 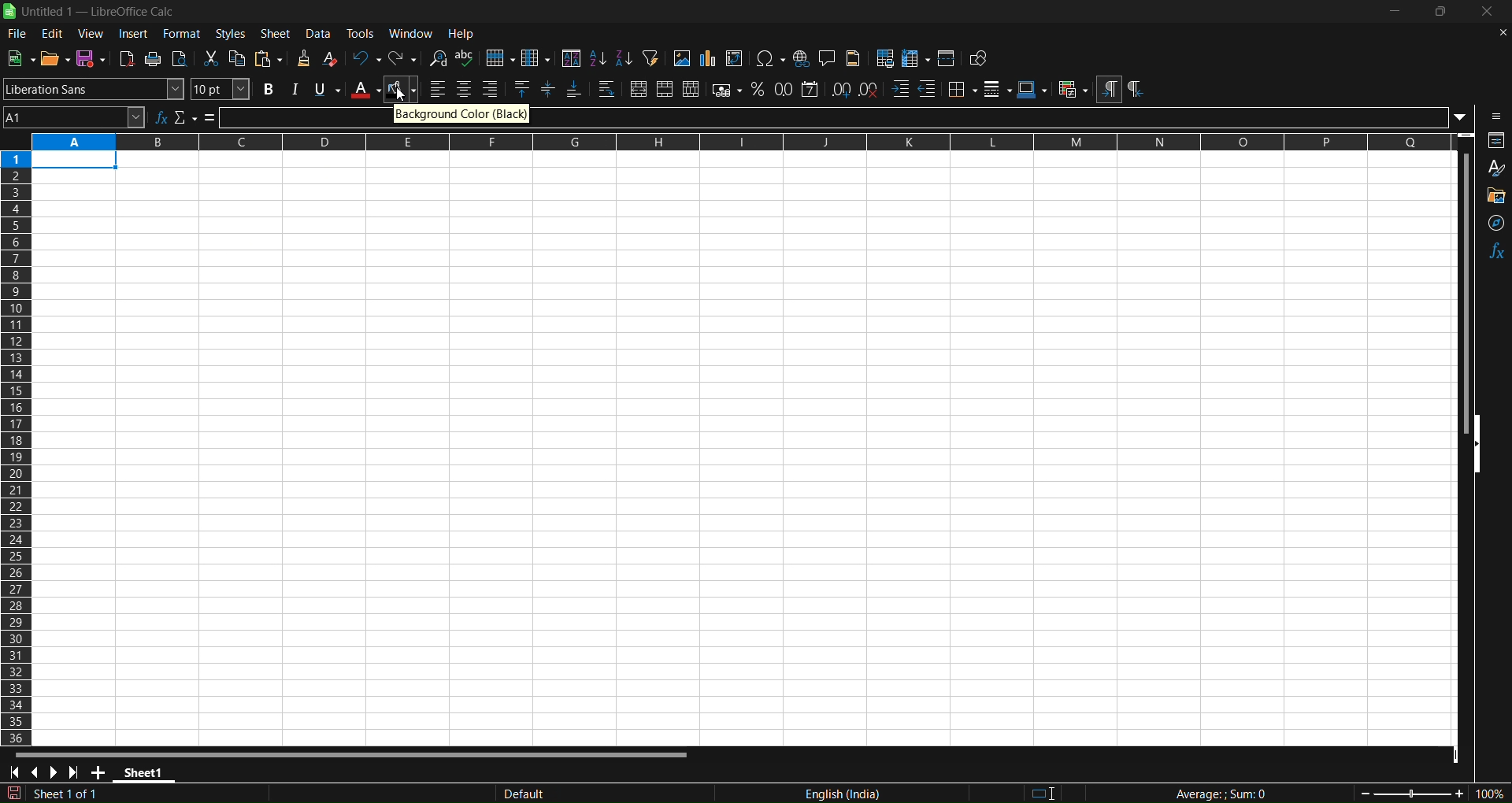 What do you see at coordinates (501, 56) in the screenshot?
I see `row` at bounding box center [501, 56].